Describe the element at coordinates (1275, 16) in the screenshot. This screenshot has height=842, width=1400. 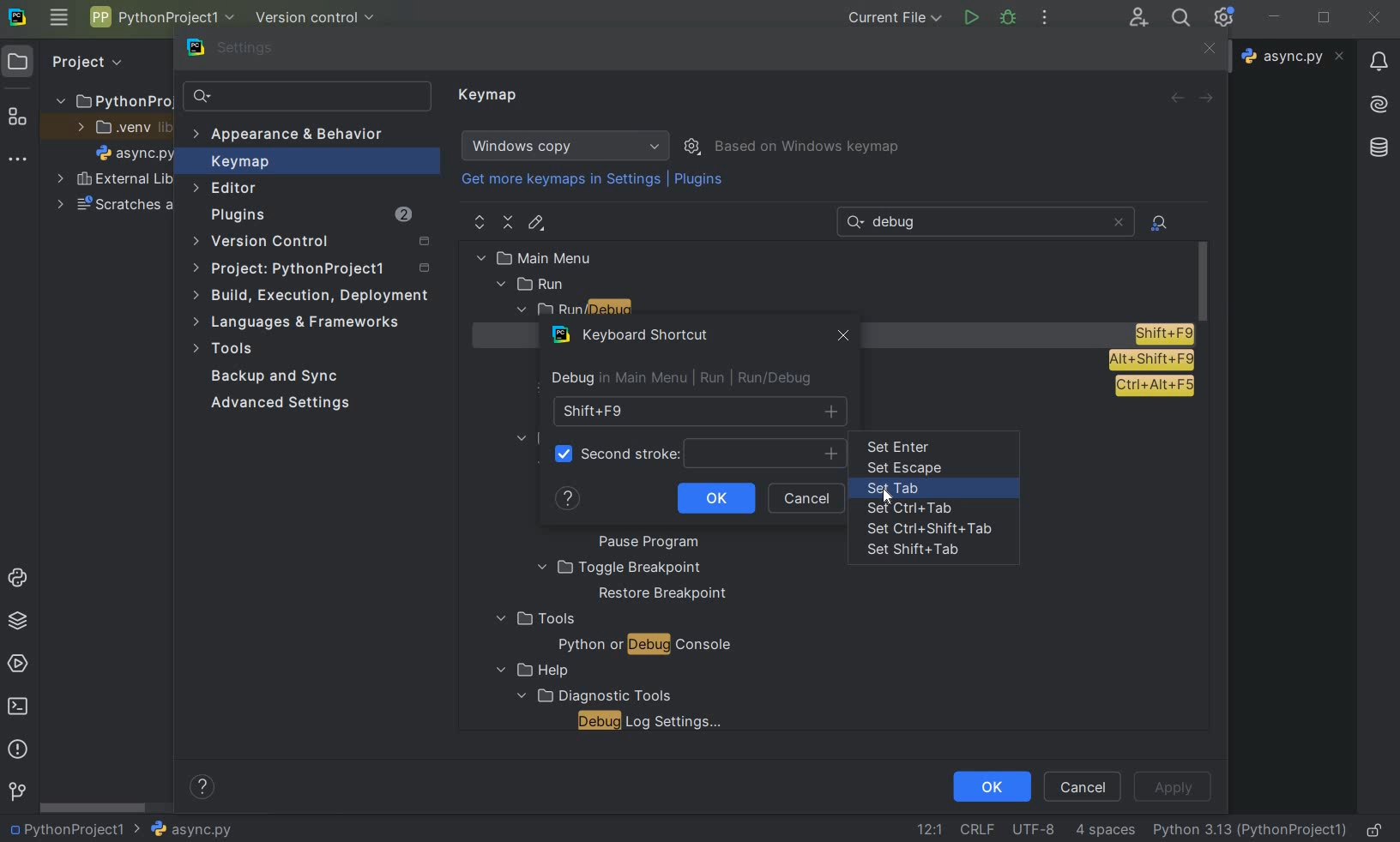
I see `minimize` at that location.